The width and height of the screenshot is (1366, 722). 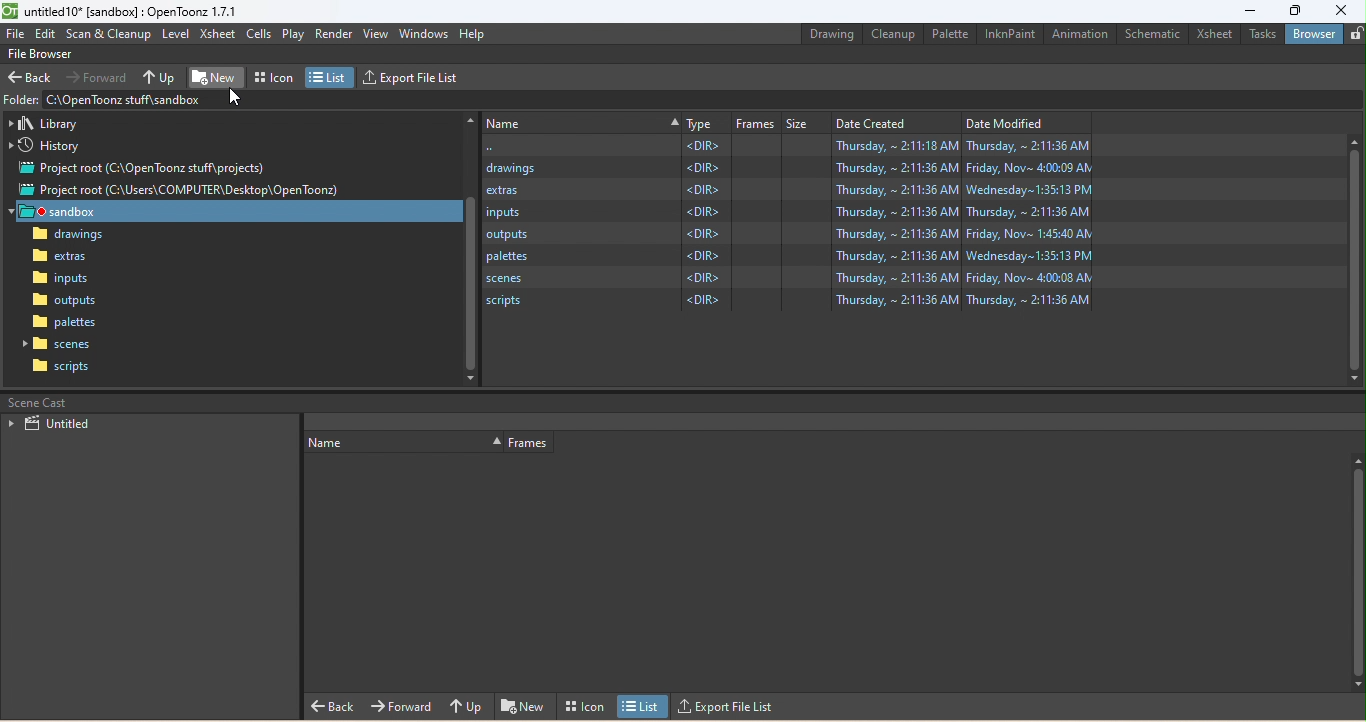 I want to click on Xsheet, so click(x=219, y=36).